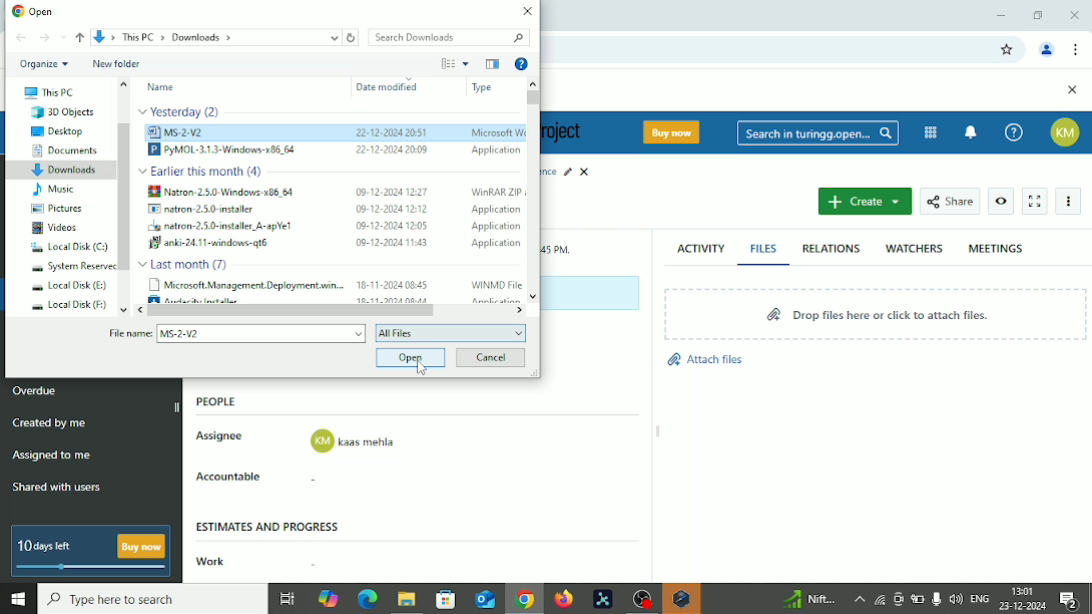  Describe the element at coordinates (1072, 202) in the screenshot. I see `More` at that location.